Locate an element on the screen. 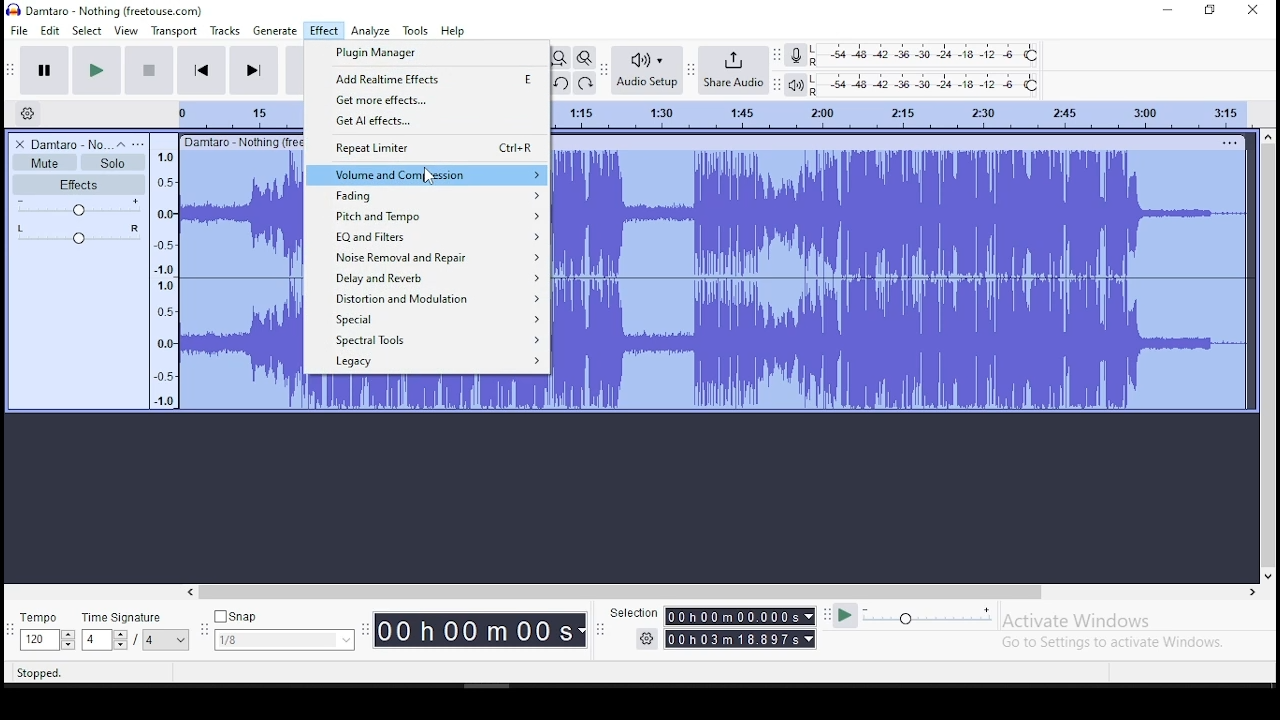 The width and height of the screenshot is (1280, 720). special is located at coordinates (430, 318).